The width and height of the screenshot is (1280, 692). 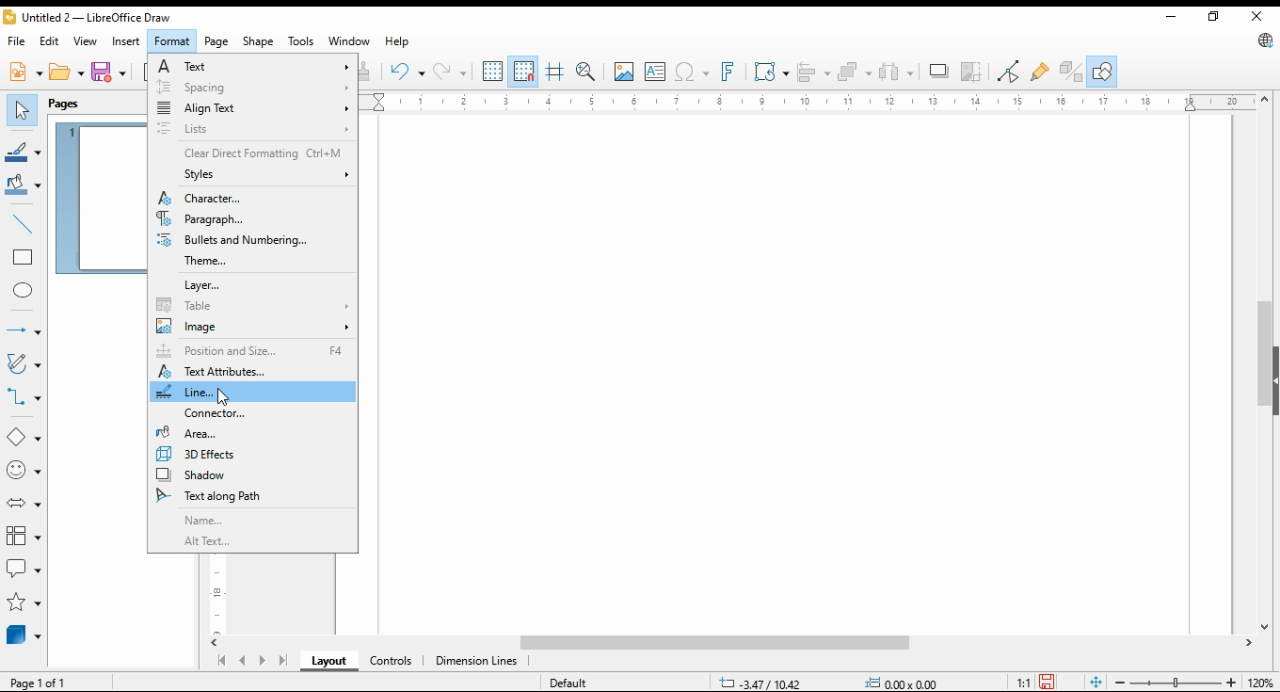 I want to click on line, so click(x=251, y=393).